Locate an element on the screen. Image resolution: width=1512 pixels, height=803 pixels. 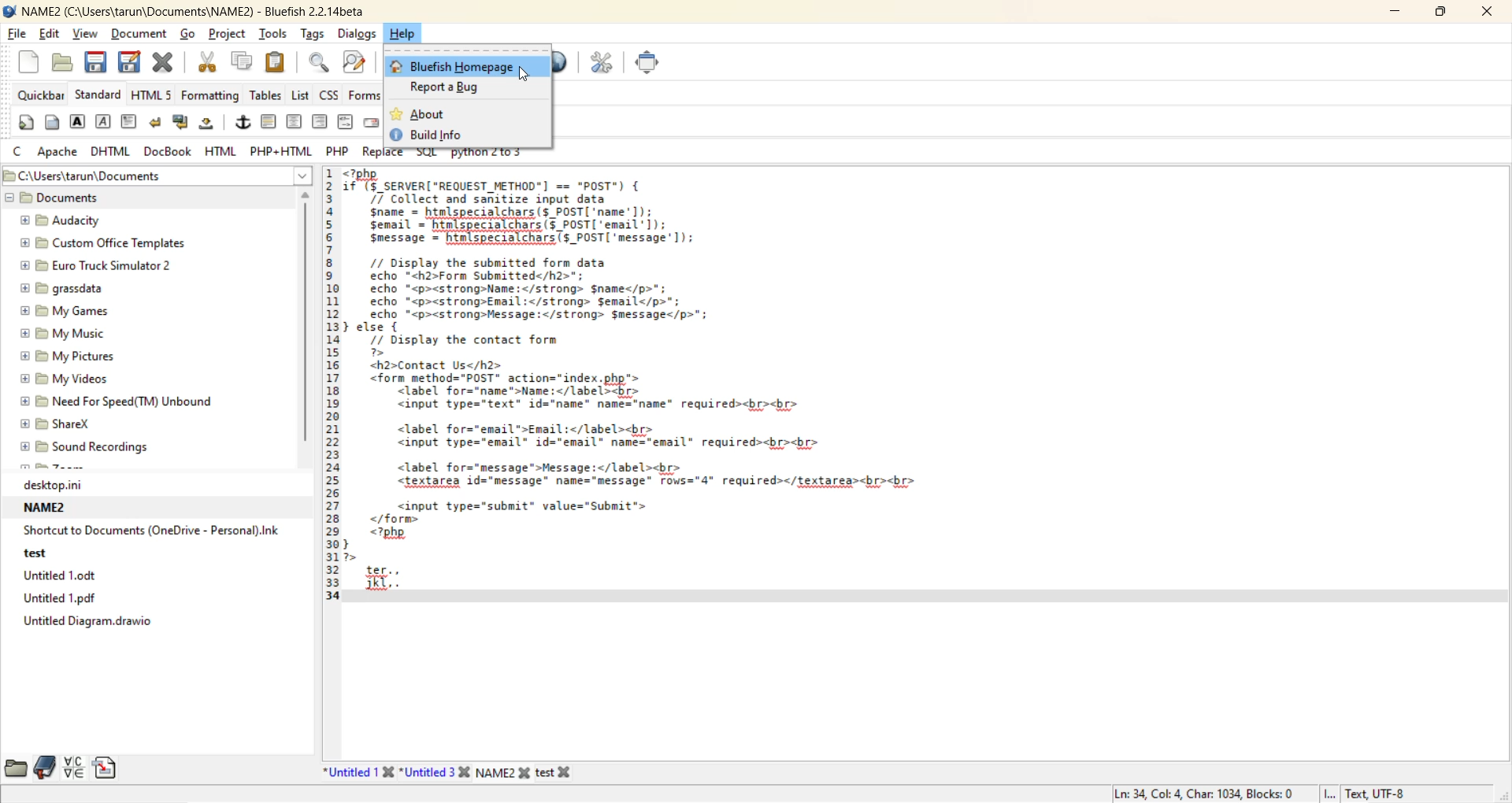
dhtml is located at coordinates (112, 149).